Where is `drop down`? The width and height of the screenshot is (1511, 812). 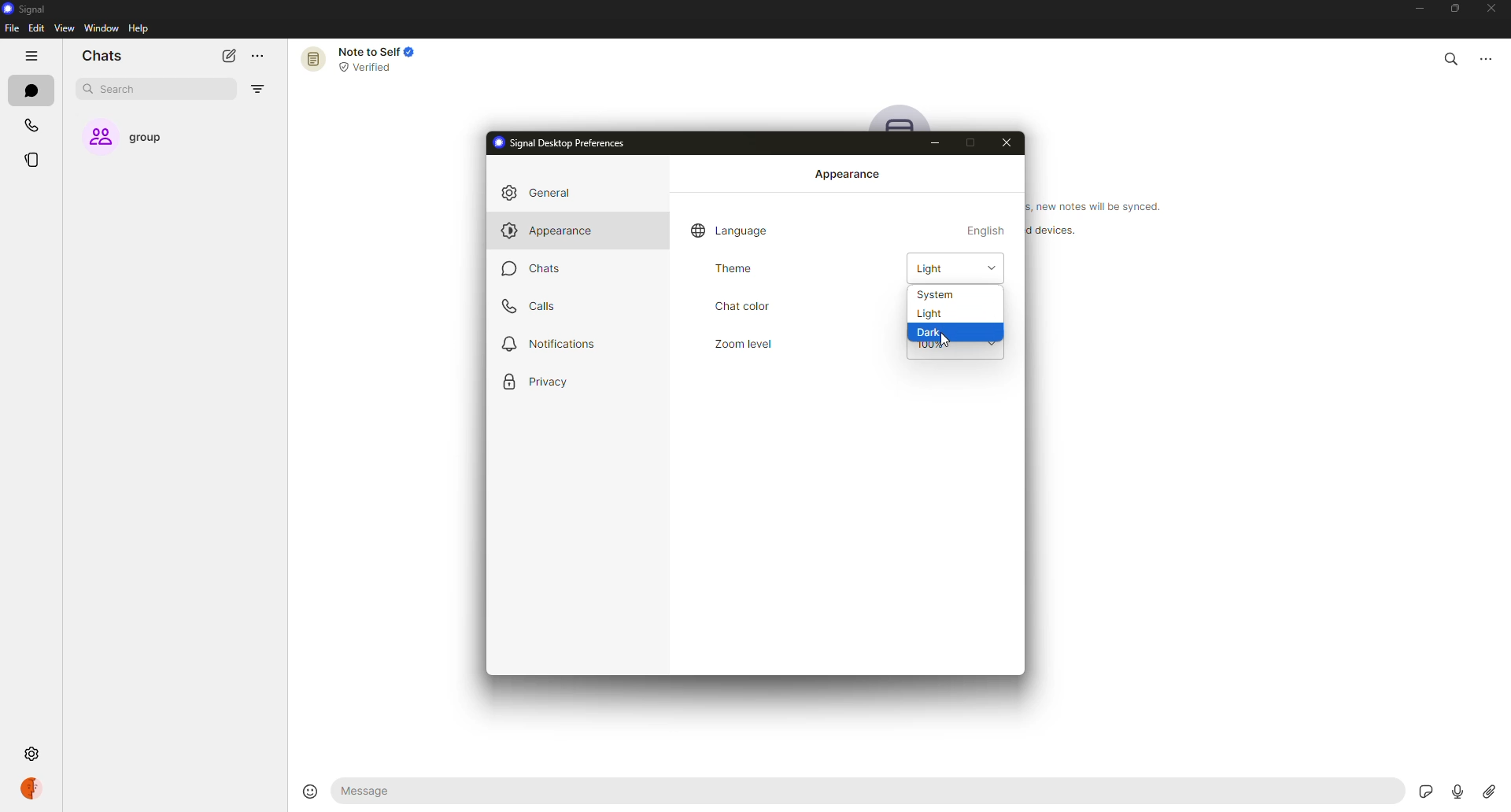
drop down is located at coordinates (992, 268).